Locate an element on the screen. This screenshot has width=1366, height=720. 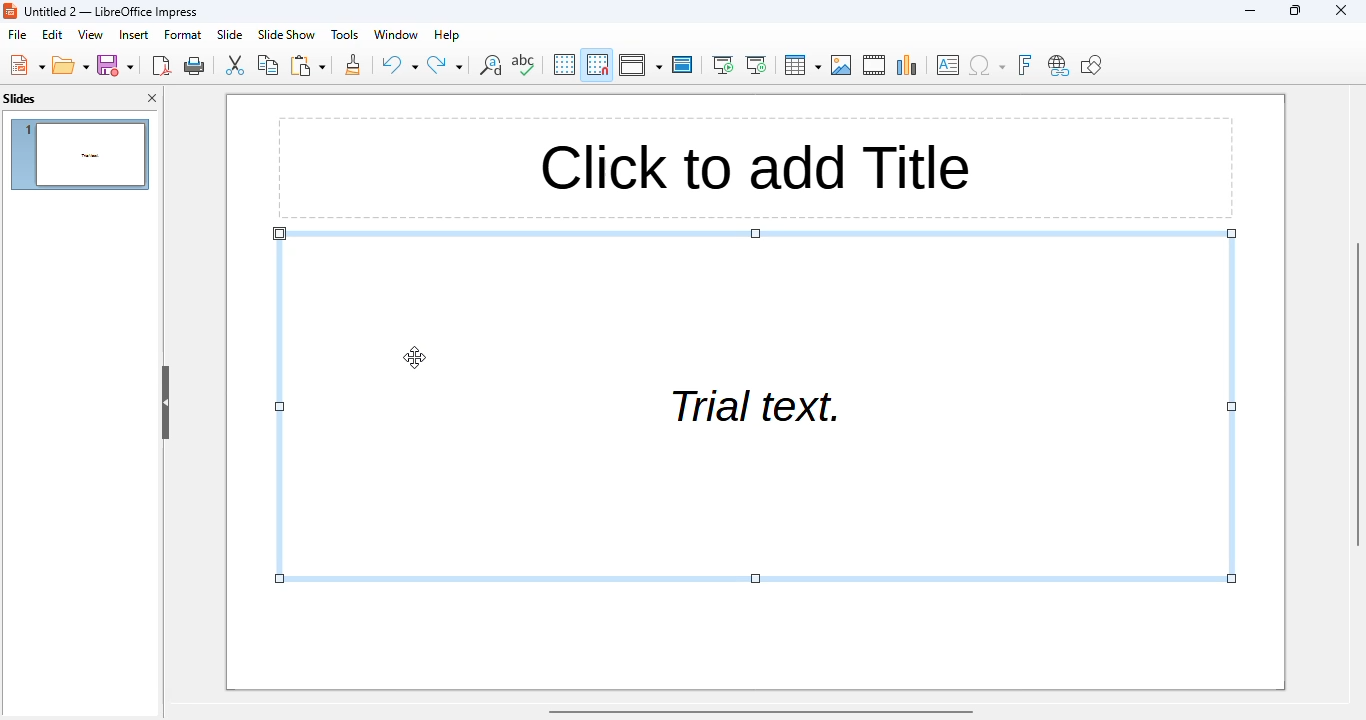
start from first slide is located at coordinates (723, 64).